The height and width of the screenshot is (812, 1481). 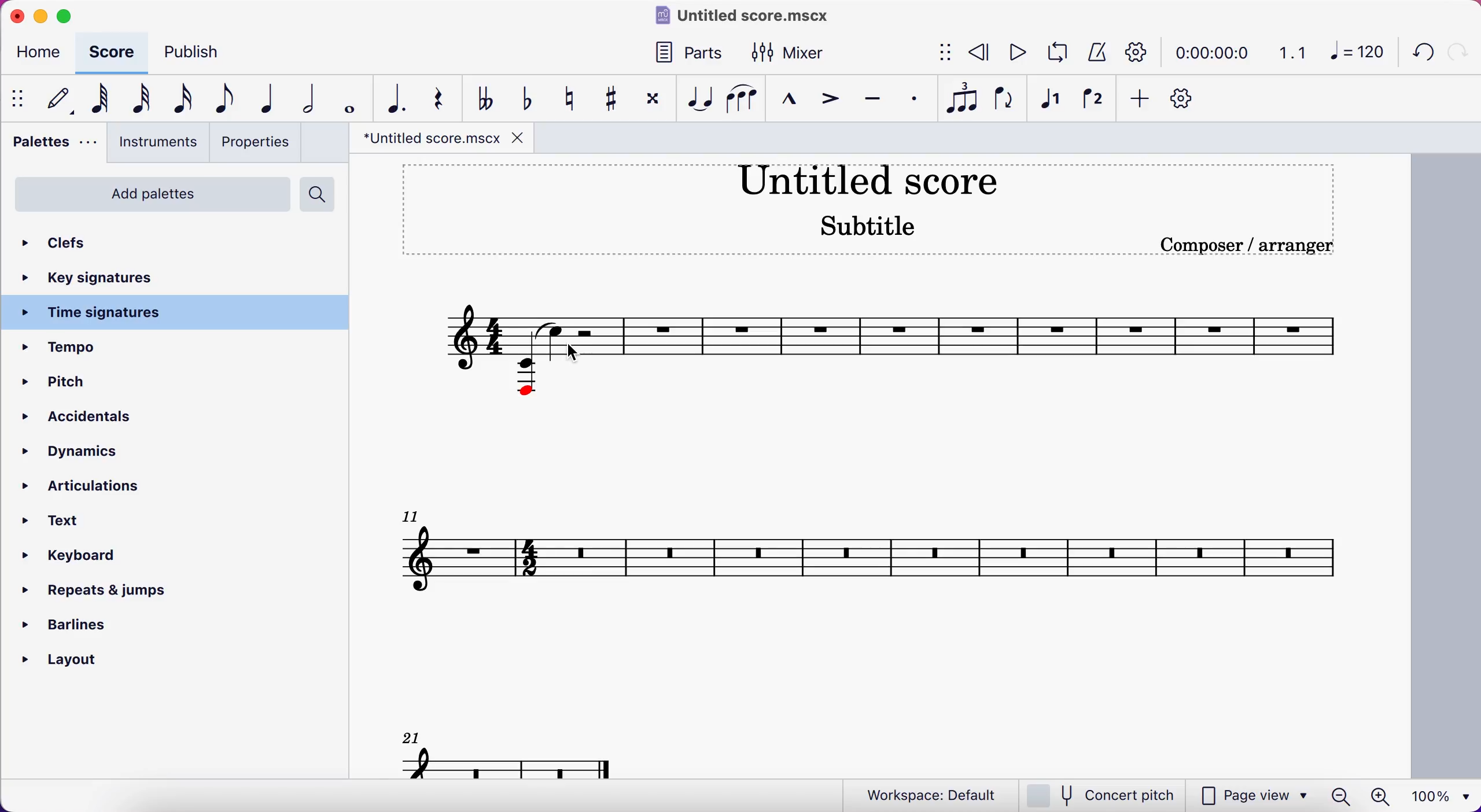 What do you see at coordinates (915, 99) in the screenshot?
I see `stacatto` at bounding box center [915, 99].